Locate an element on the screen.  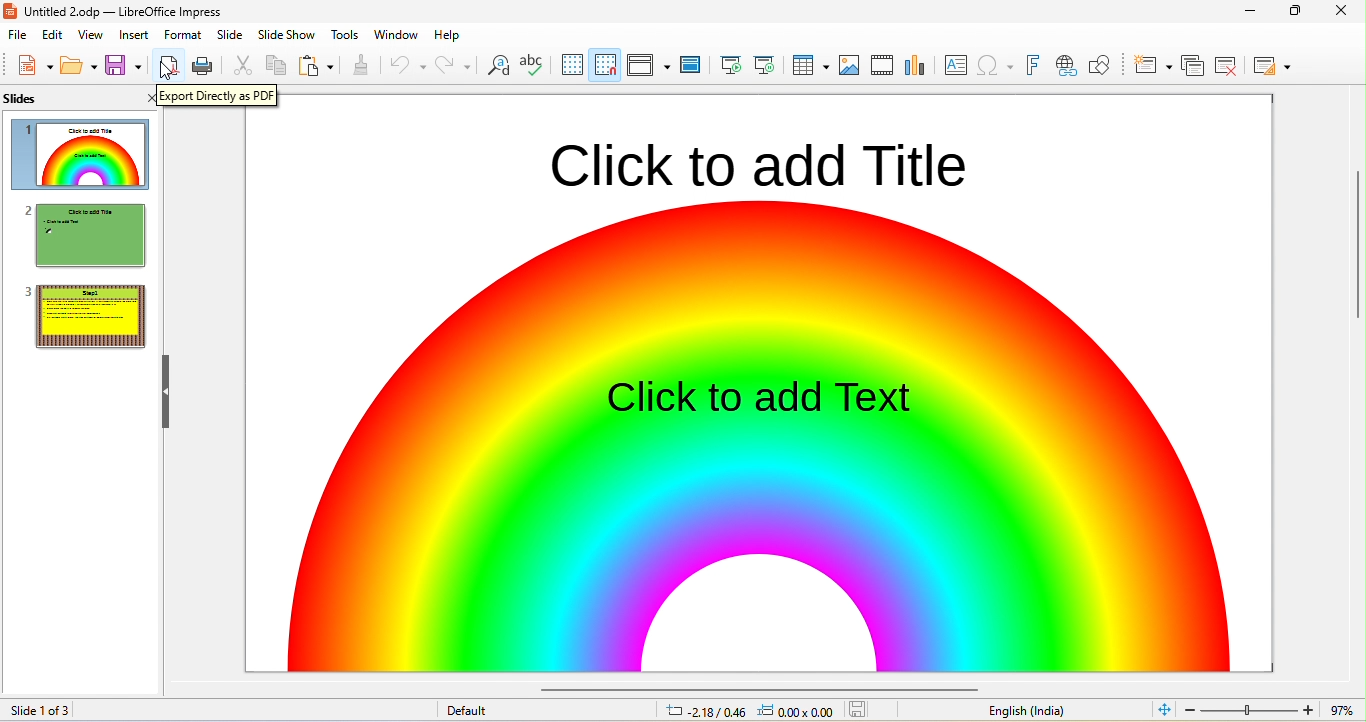
close is located at coordinates (1346, 11).